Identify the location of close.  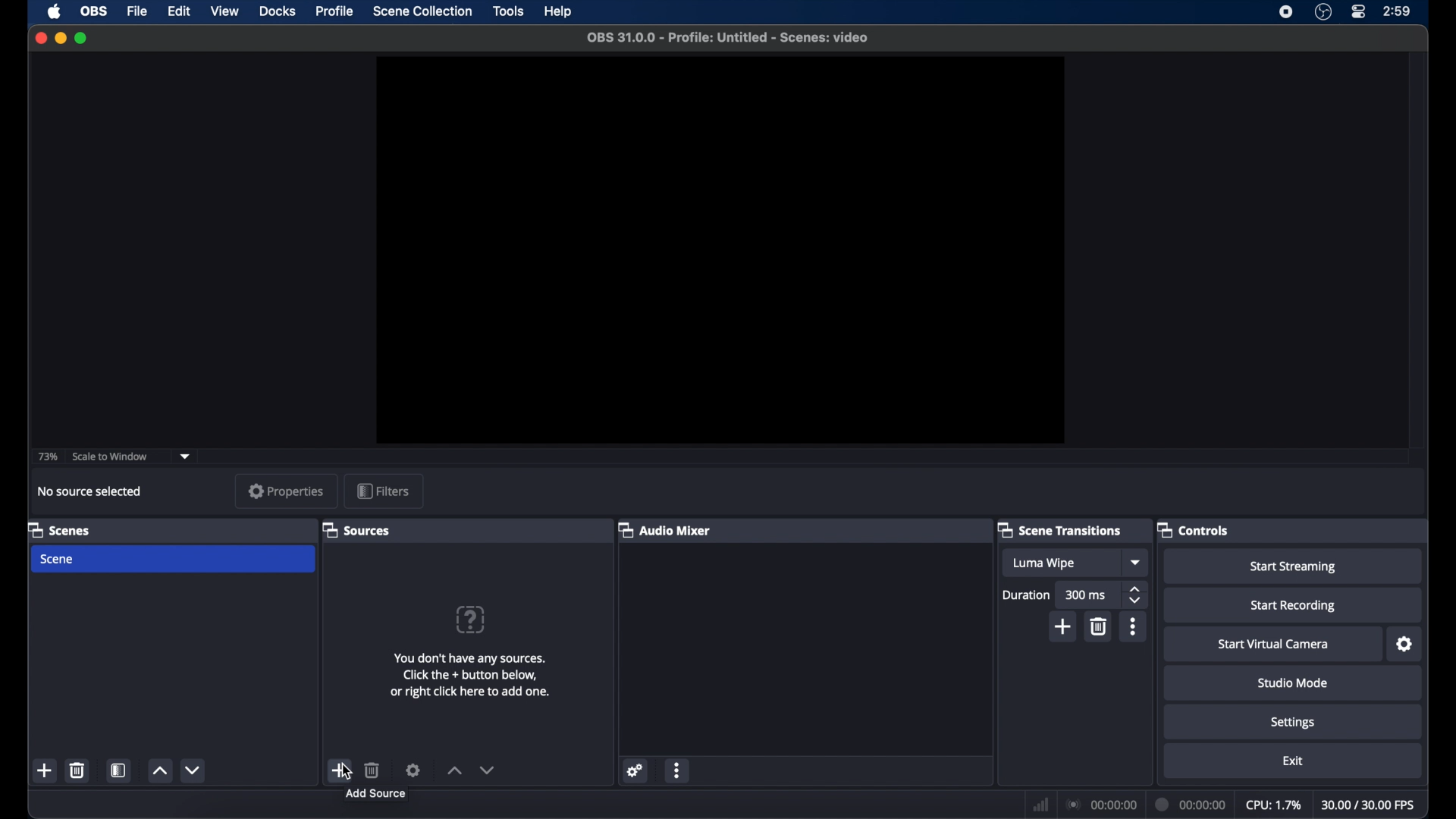
(40, 38).